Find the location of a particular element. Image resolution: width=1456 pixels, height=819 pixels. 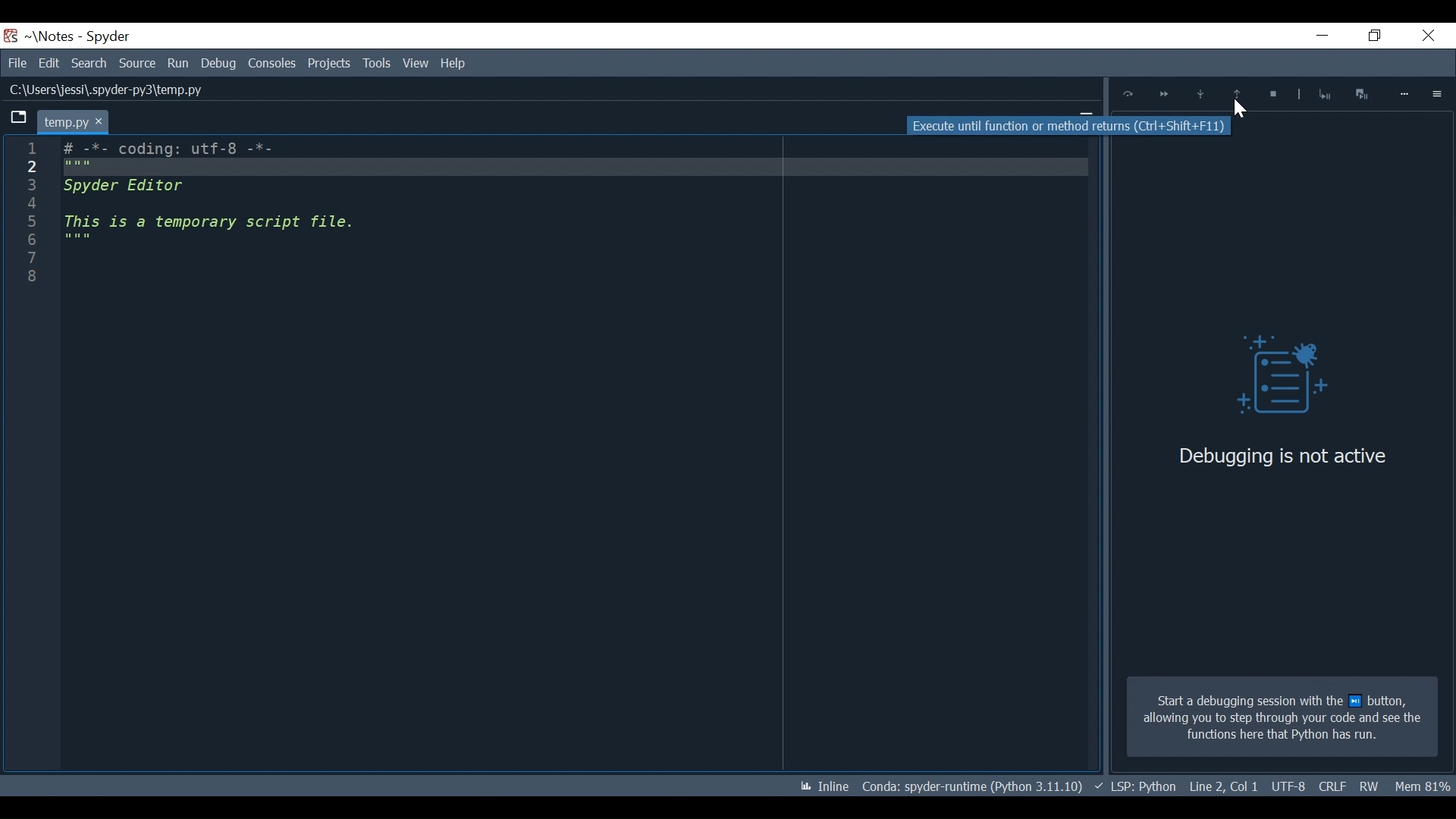

Help is located at coordinates (414, 64).